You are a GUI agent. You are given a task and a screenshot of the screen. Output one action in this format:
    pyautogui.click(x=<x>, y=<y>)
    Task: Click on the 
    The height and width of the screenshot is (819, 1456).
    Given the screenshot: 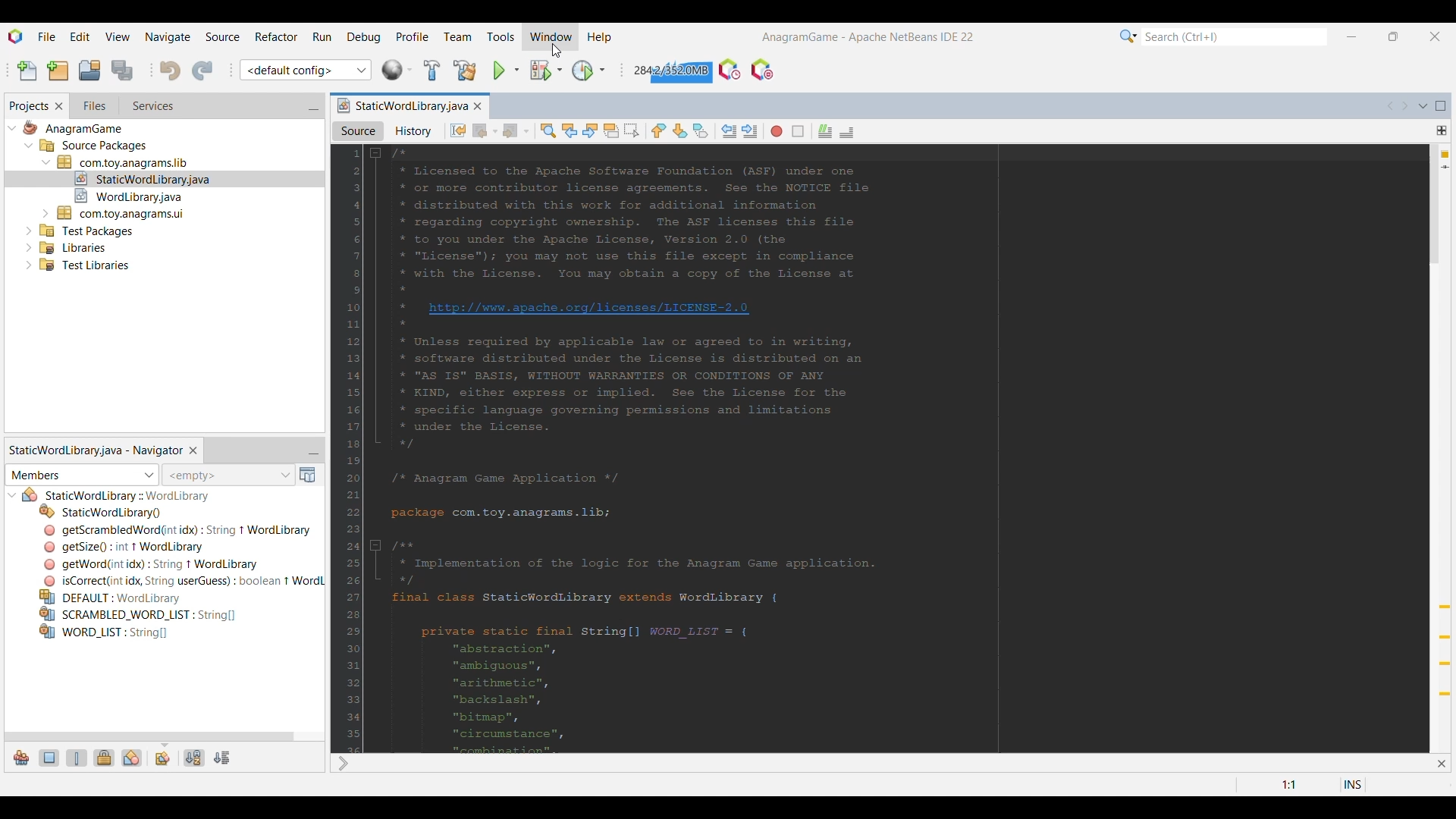 What is the action you would take?
    pyautogui.click(x=338, y=764)
    